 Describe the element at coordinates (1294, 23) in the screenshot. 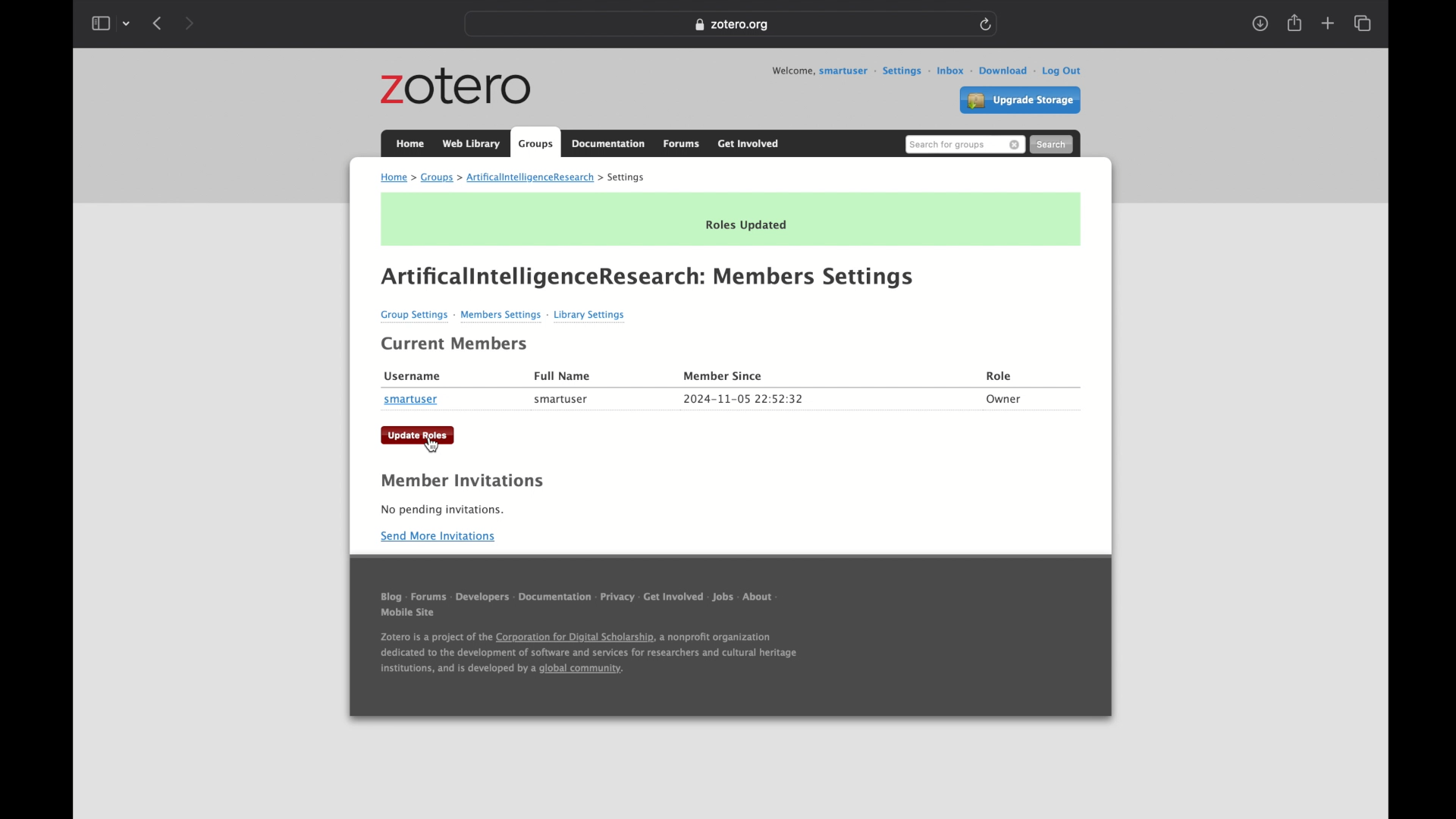

I see `share` at that location.